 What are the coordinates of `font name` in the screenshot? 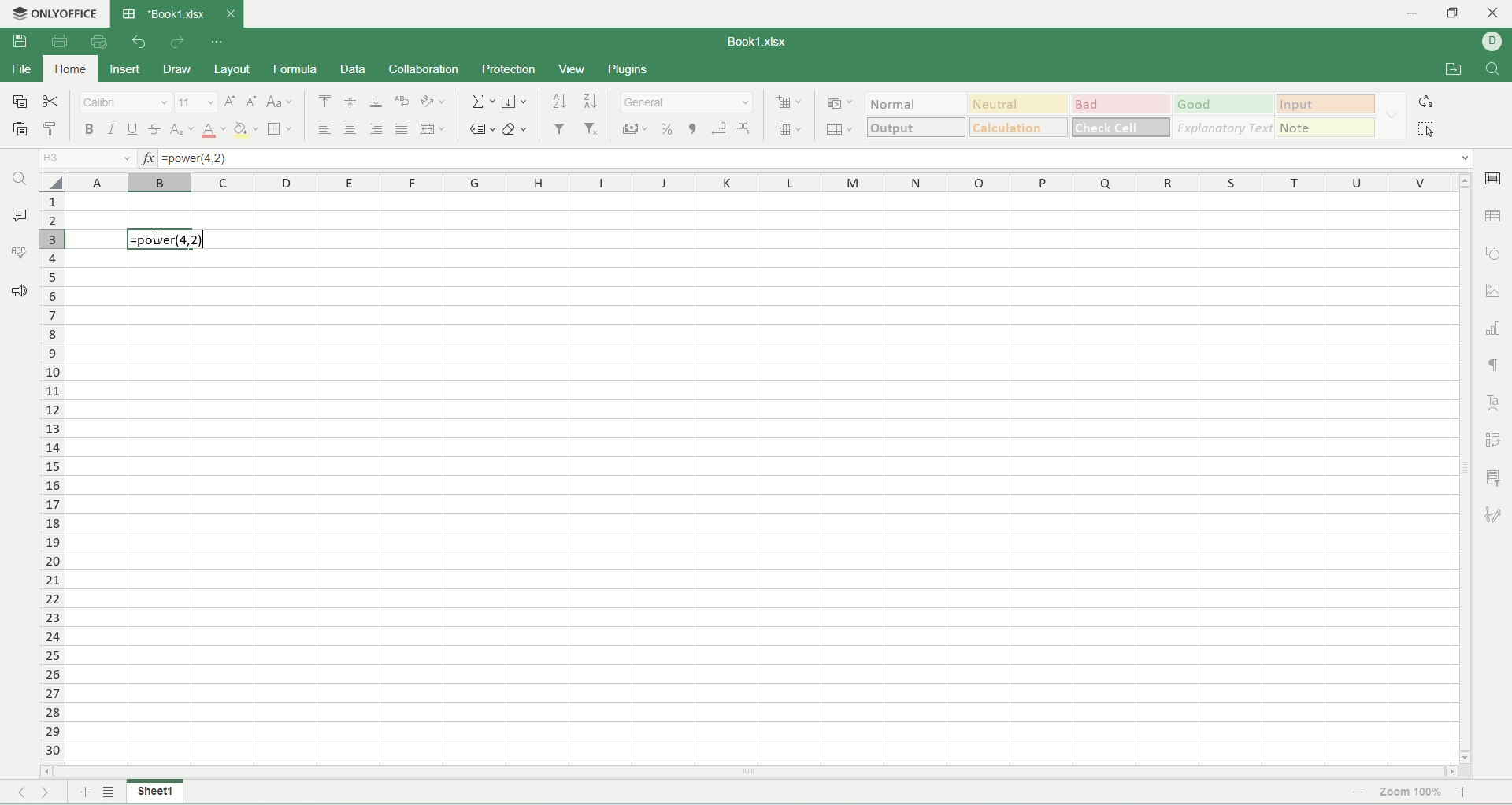 It's located at (128, 103).